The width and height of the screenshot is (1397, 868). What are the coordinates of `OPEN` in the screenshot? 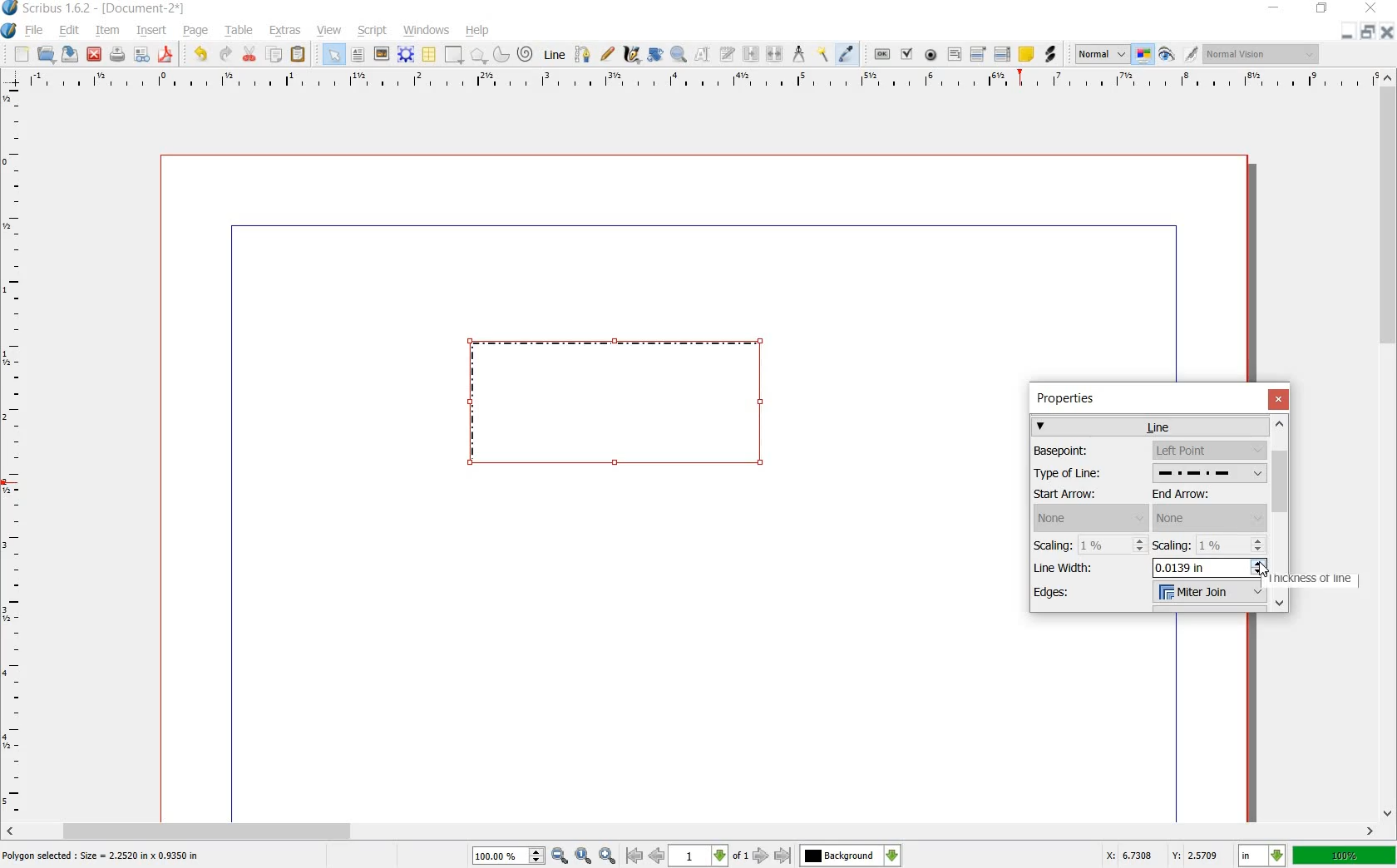 It's located at (47, 55).